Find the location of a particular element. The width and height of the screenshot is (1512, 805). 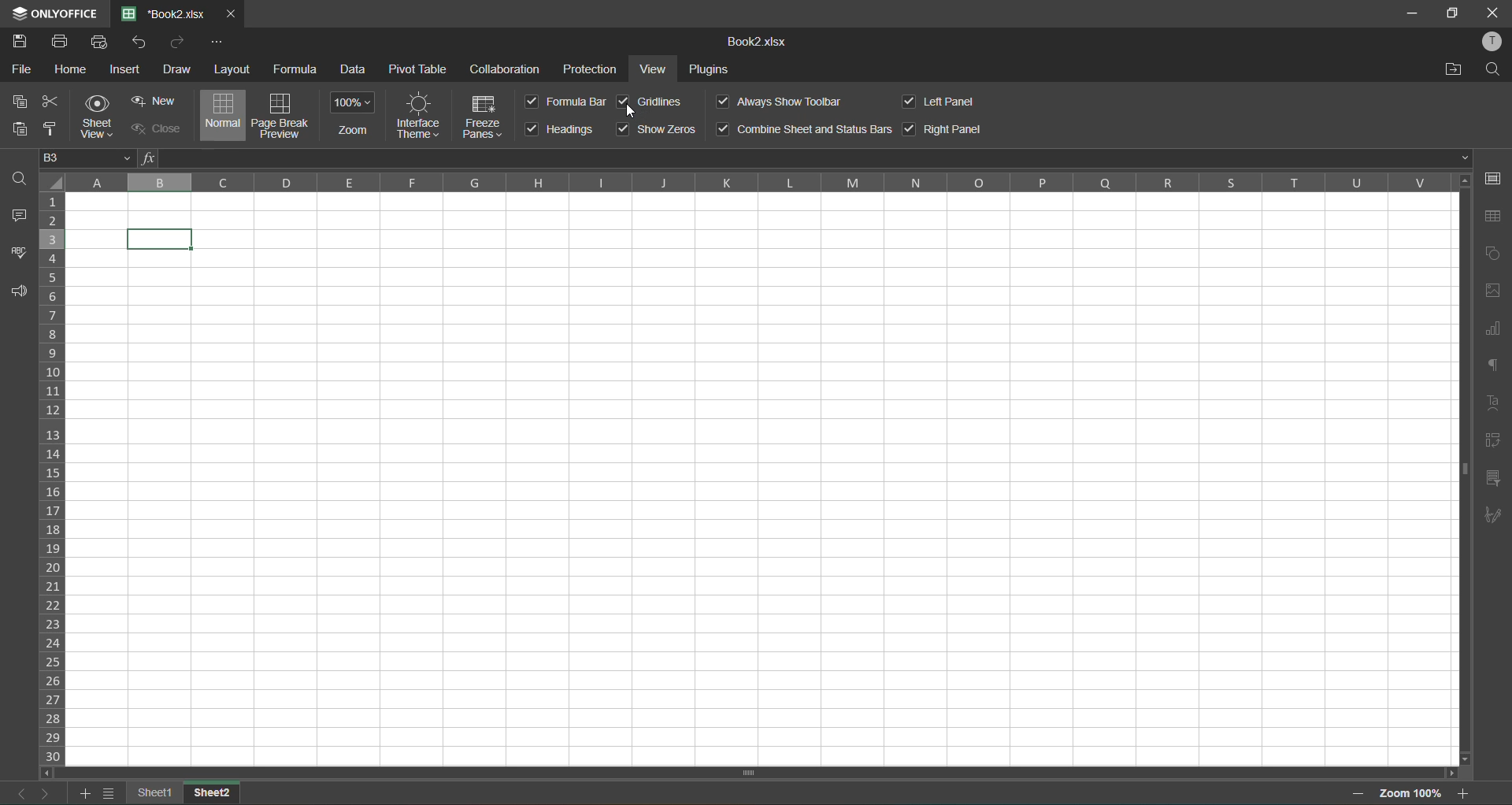

previous is located at coordinates (16, 793).